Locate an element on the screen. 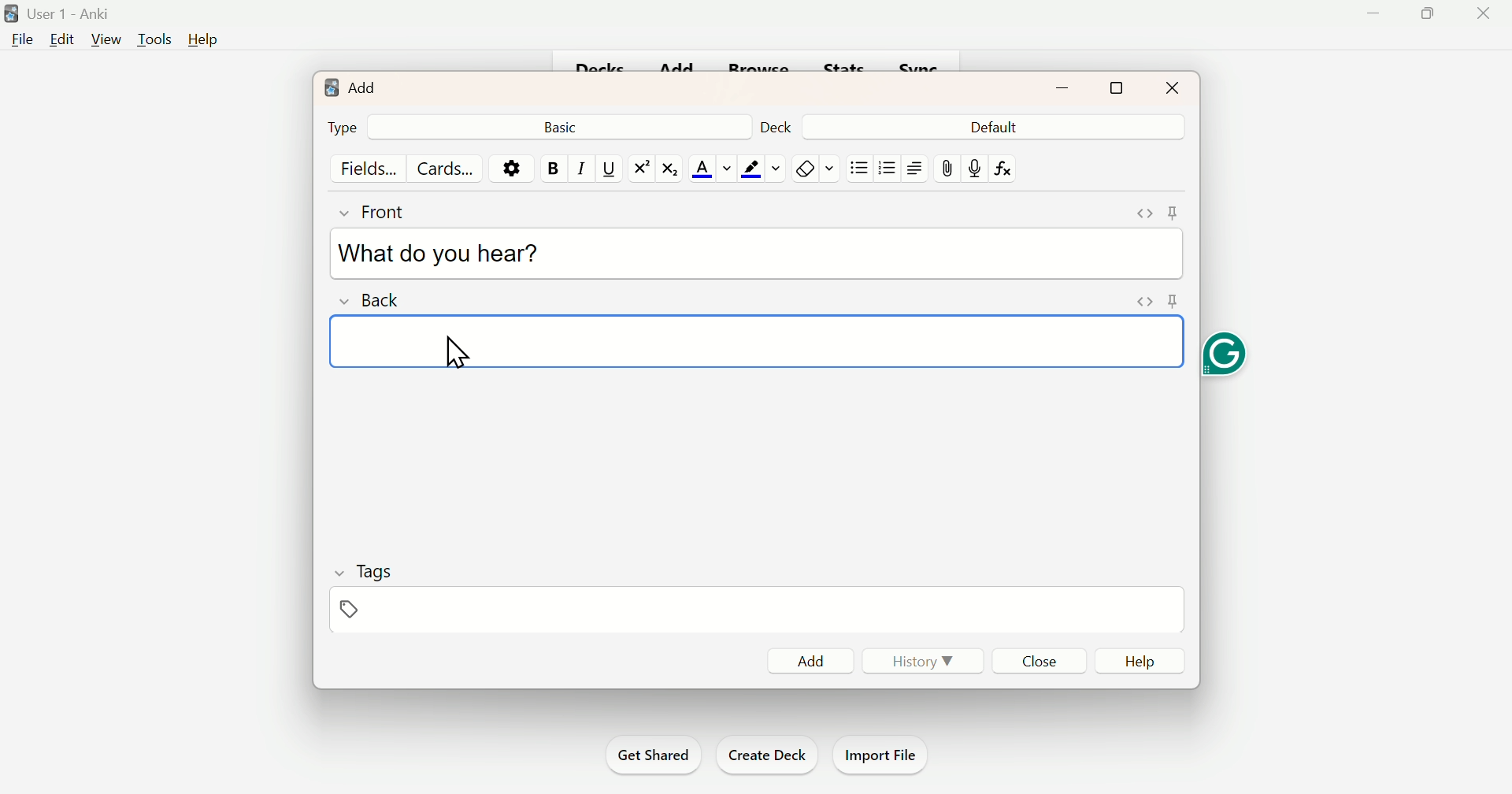  Pin is located at coordinates (348, 610).